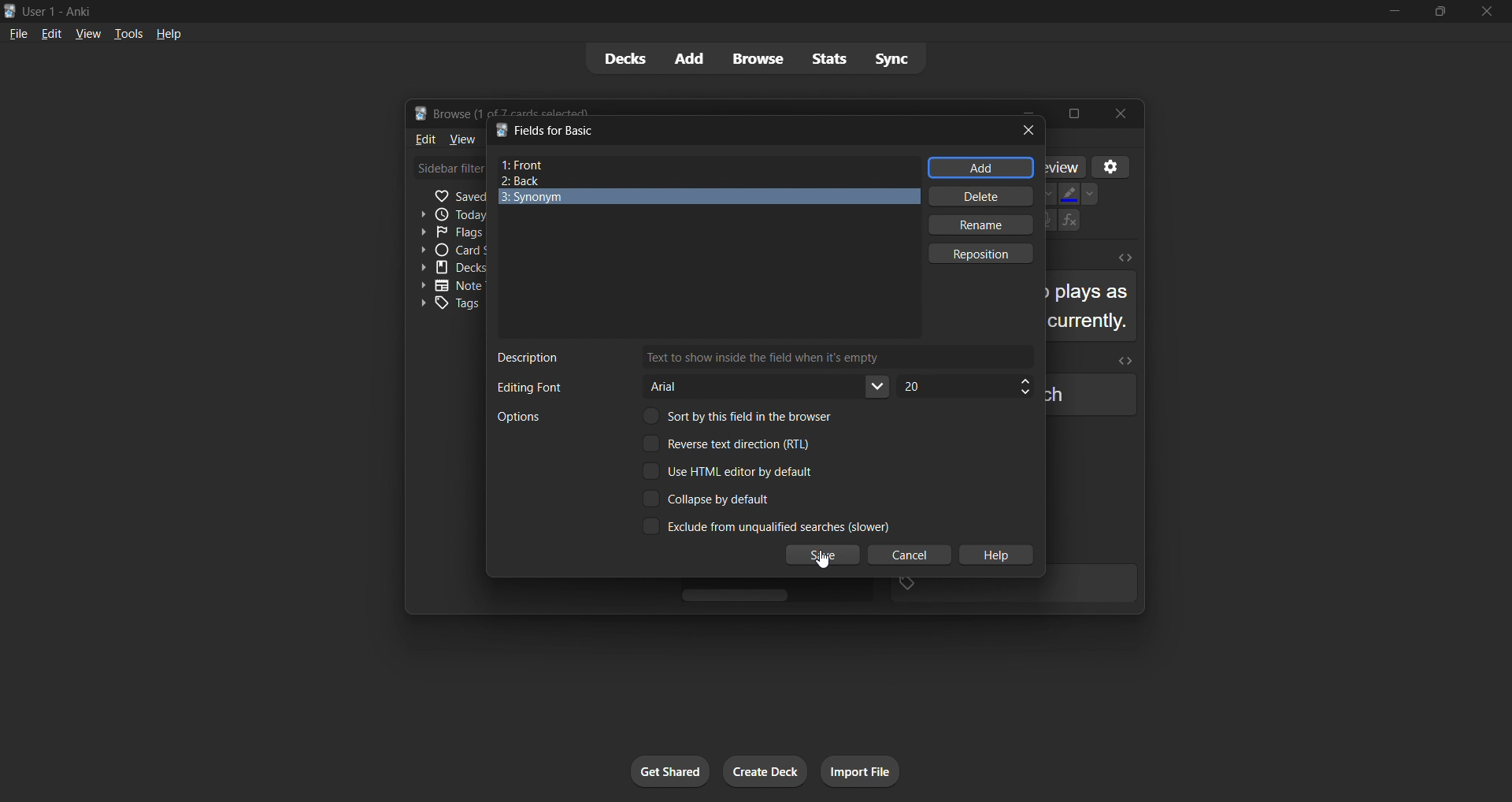  What do you see at coordinates (128, 33) in the screenshot?
I see `tools` at bounding box center [128, 33].